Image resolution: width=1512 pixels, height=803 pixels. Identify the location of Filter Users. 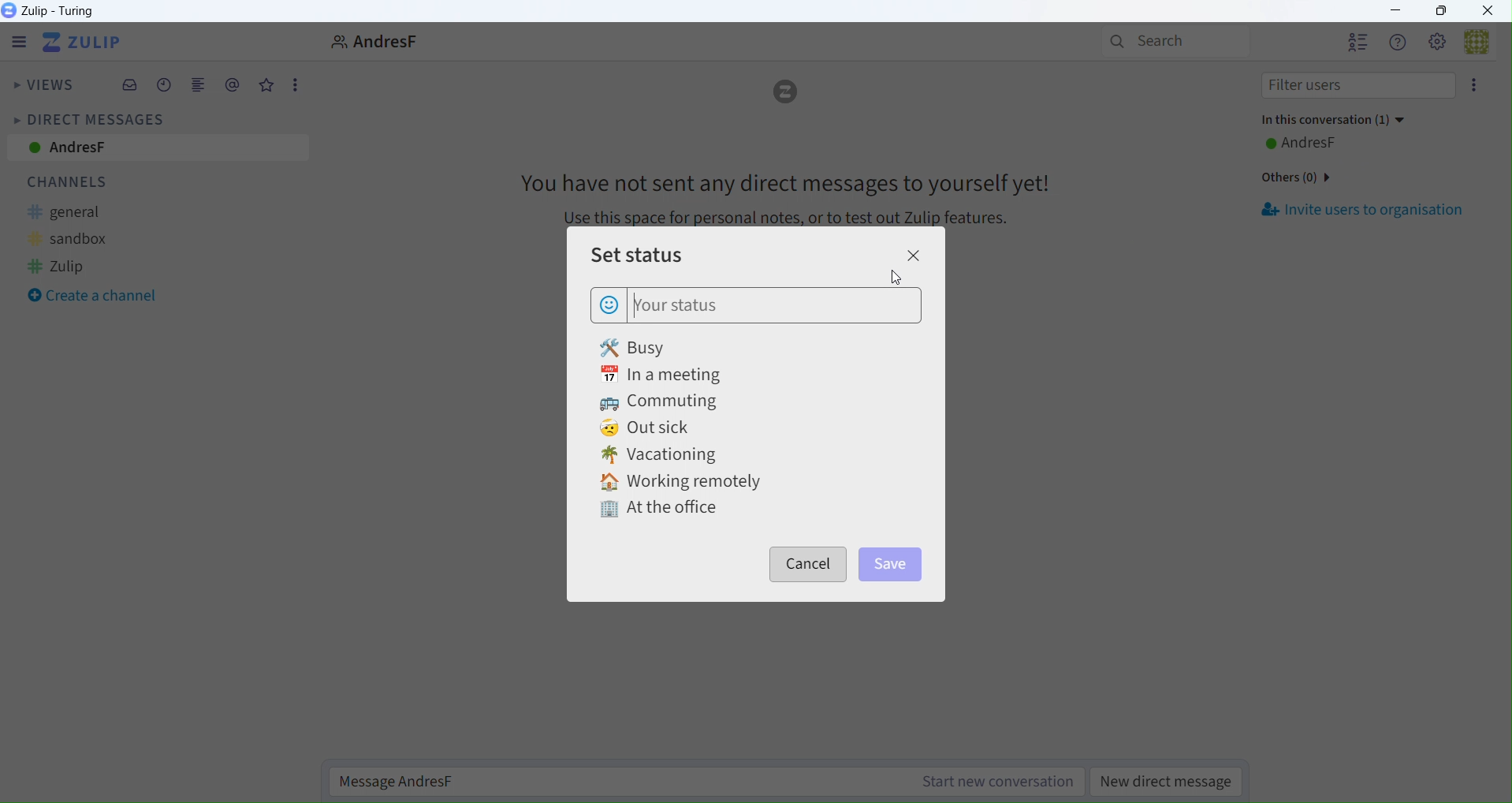
(1353, 87).